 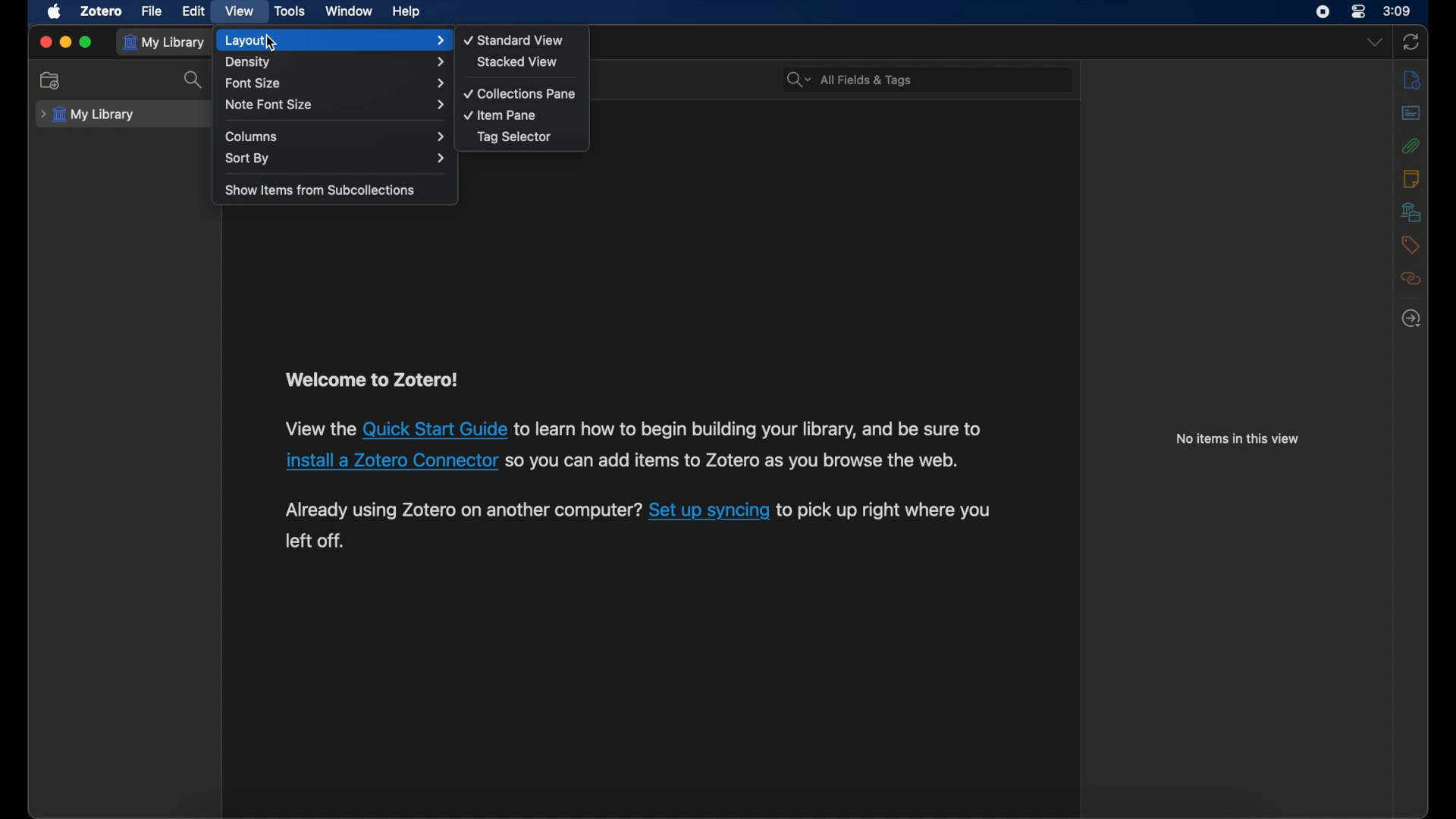 What do you see at coordinates (1410, 244) in the screenshot?
I see `tags` at bounding box center [1410, 244].